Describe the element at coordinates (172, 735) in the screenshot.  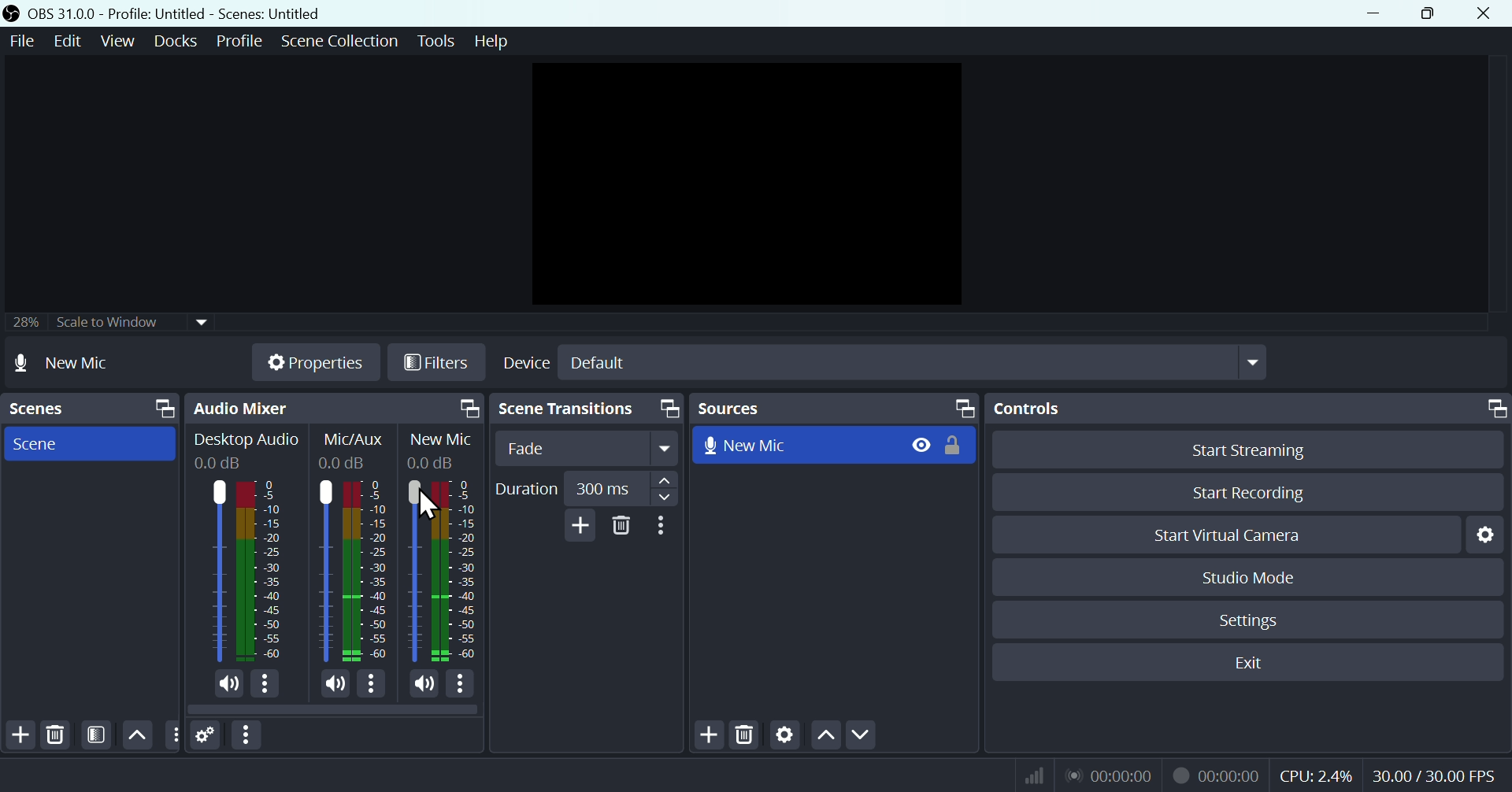
I see `` at that location.